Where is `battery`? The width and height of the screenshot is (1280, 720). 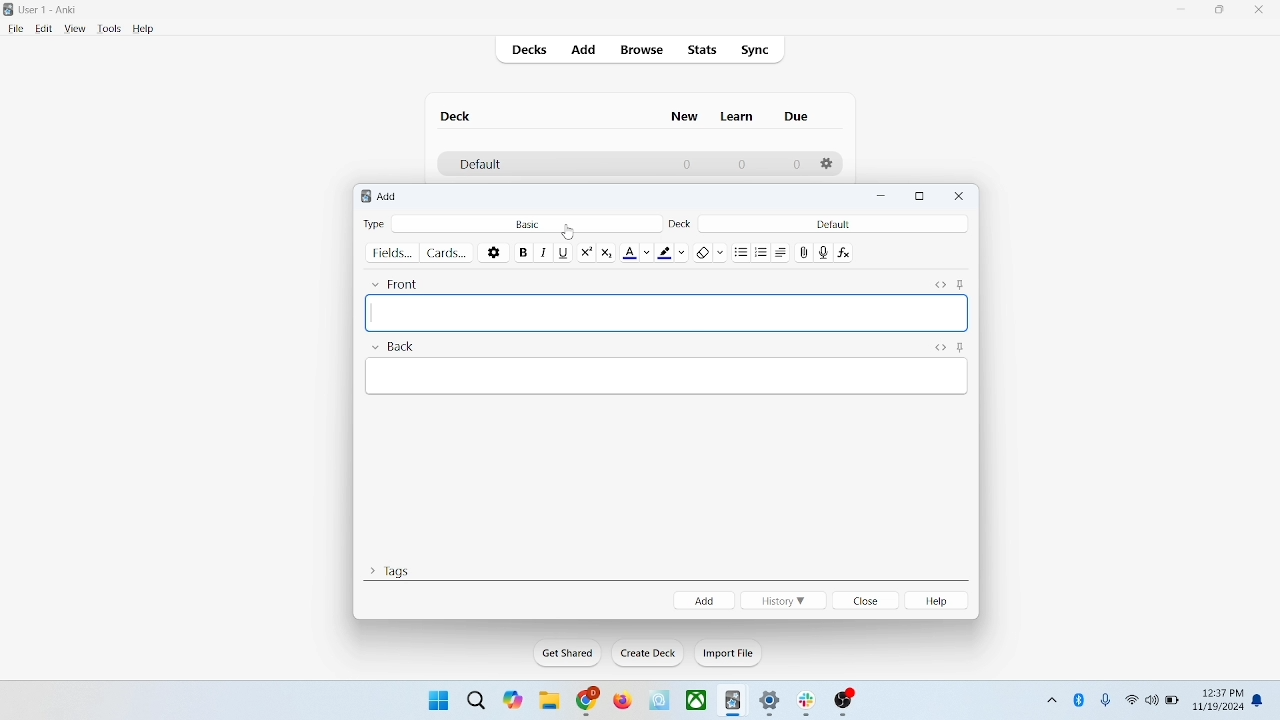 battery is located at coordinates (1173, 702).